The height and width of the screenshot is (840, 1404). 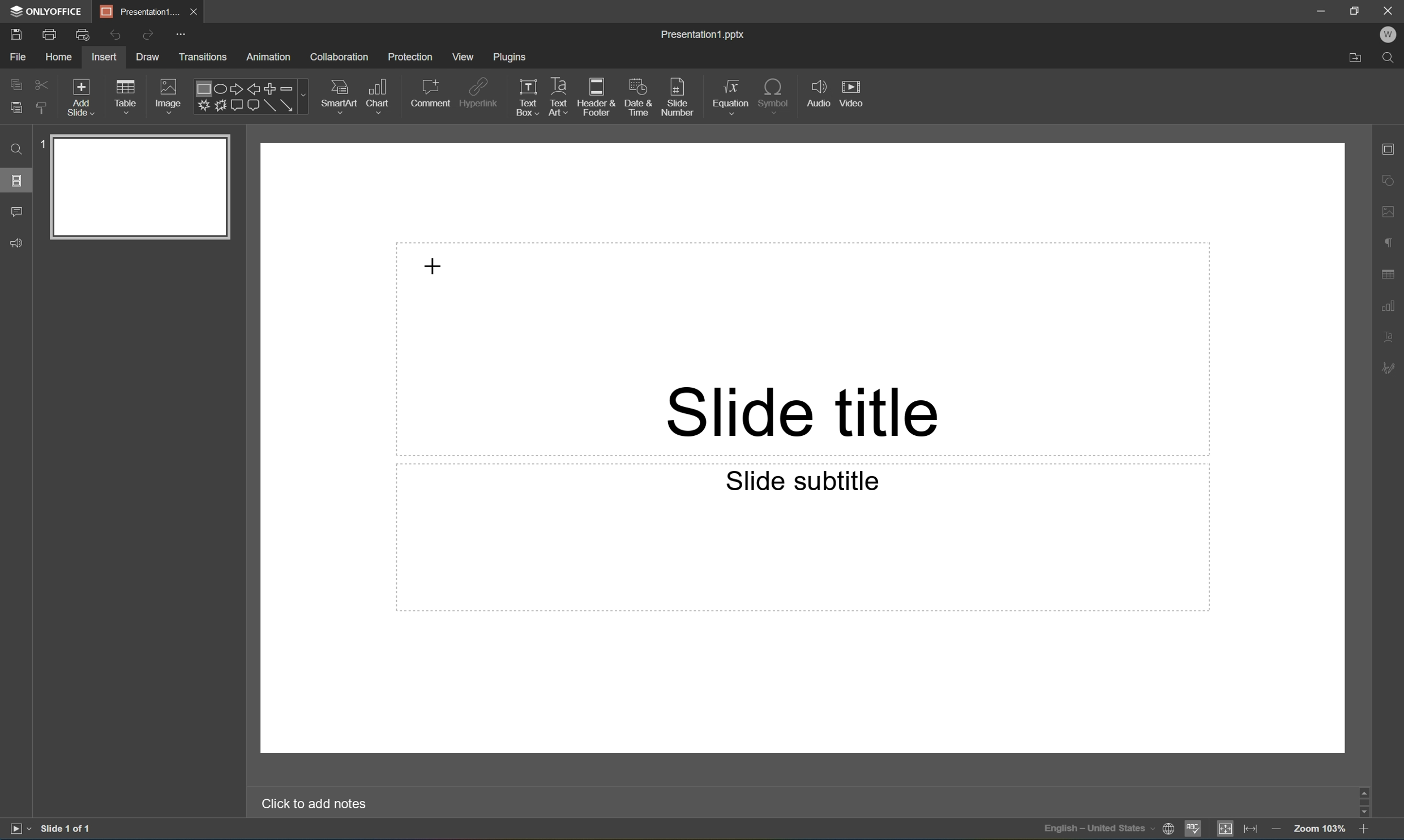 I want to click on Open file location, so click(x=1356, y=60).